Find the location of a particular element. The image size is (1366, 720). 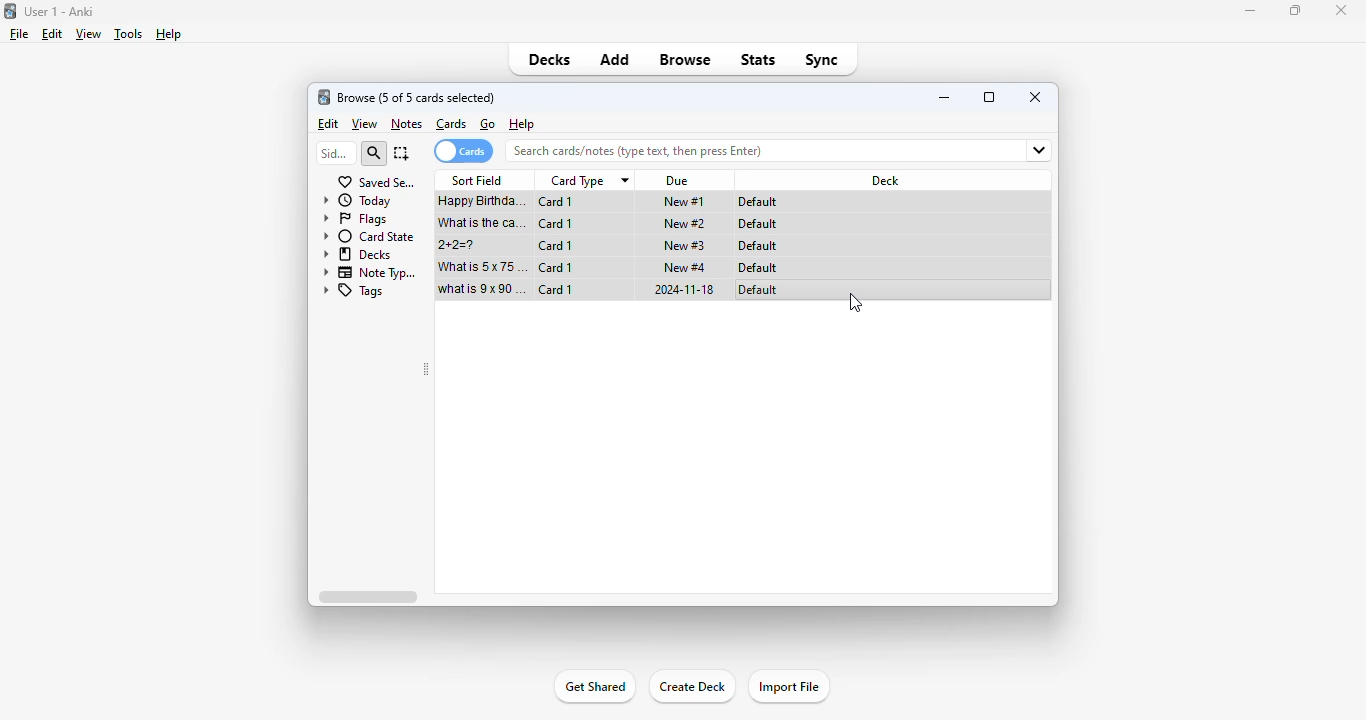

flags is located at coordinates (355, 219).